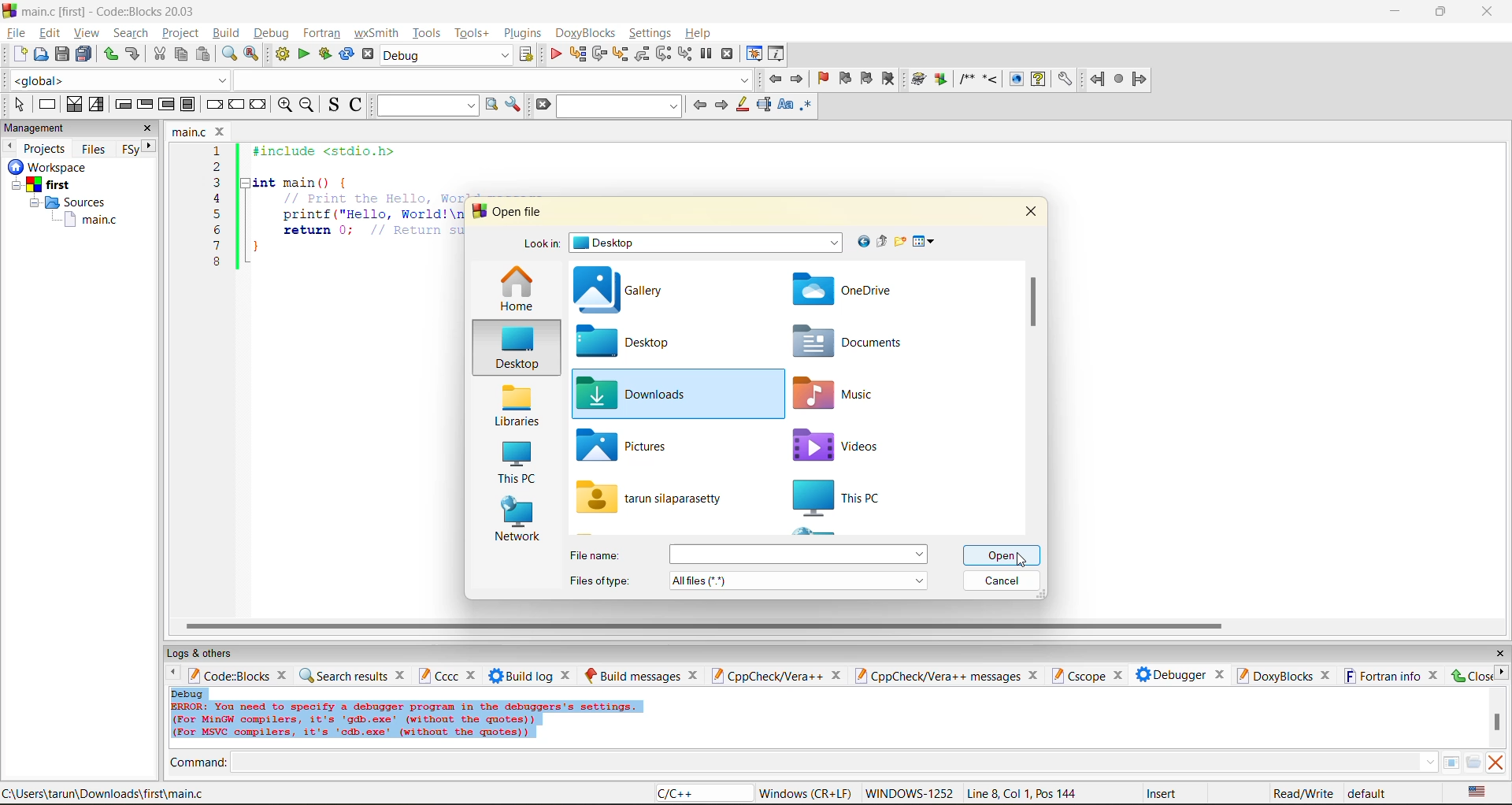  I want to click on abort, so click(368, 54).